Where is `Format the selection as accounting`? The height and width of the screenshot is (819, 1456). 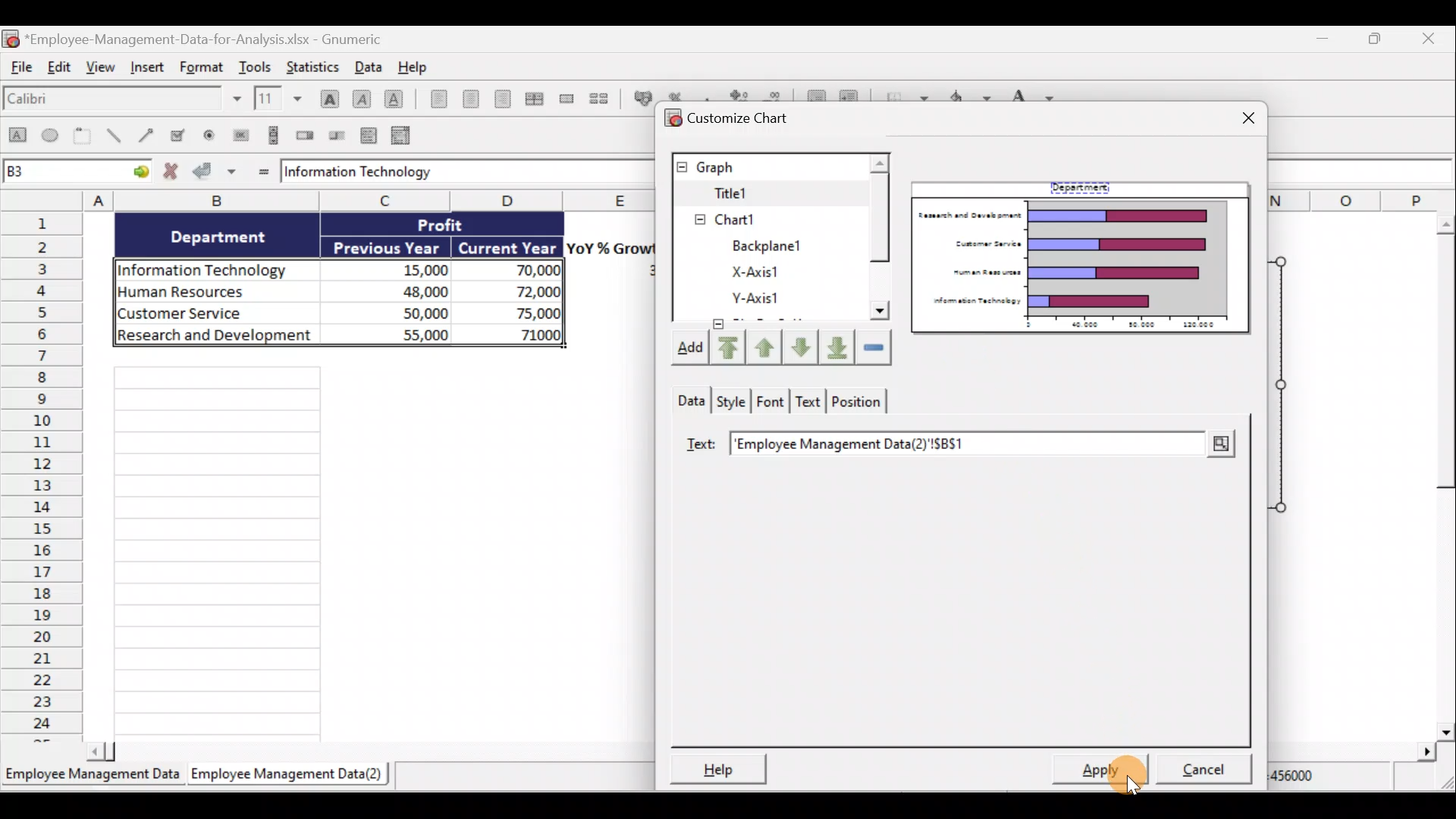
Format the selection as accounting is located at coordinates (639, 96).